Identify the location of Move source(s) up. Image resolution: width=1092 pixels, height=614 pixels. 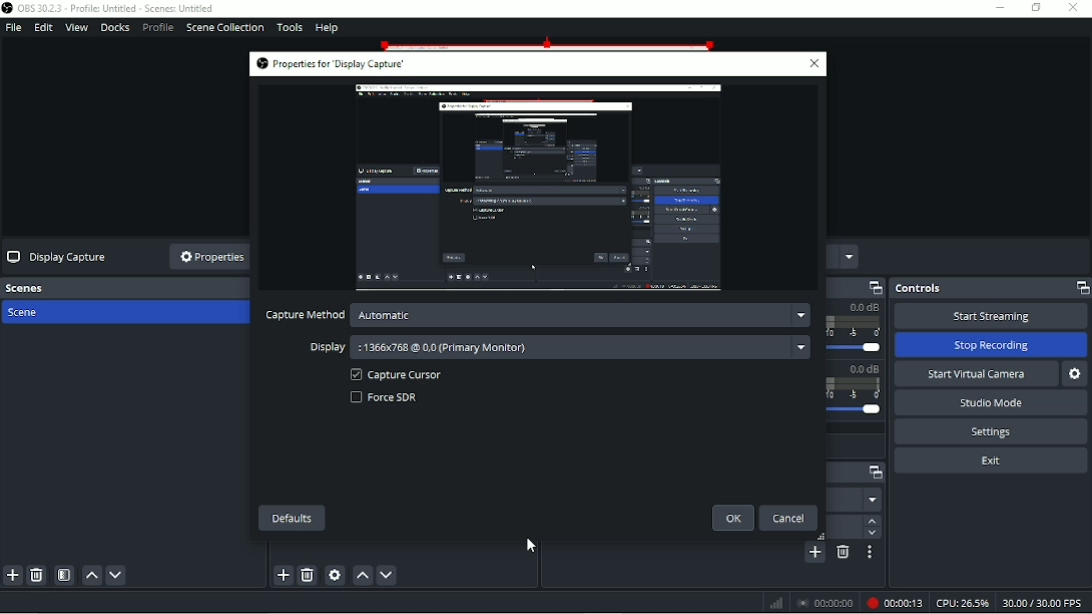
(362, 575).